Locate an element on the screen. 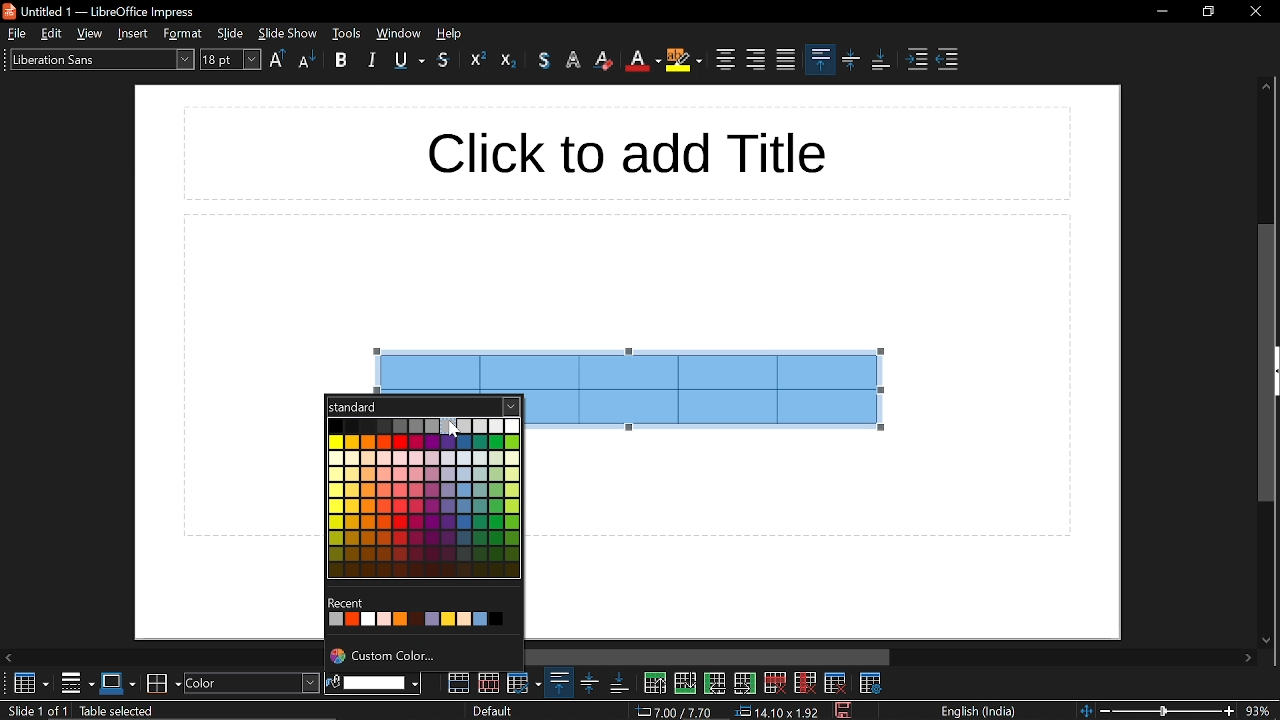 Image resolution: width=1280 pixels, height=720 pixels. zoom in is located at coordinates (1230, 711).